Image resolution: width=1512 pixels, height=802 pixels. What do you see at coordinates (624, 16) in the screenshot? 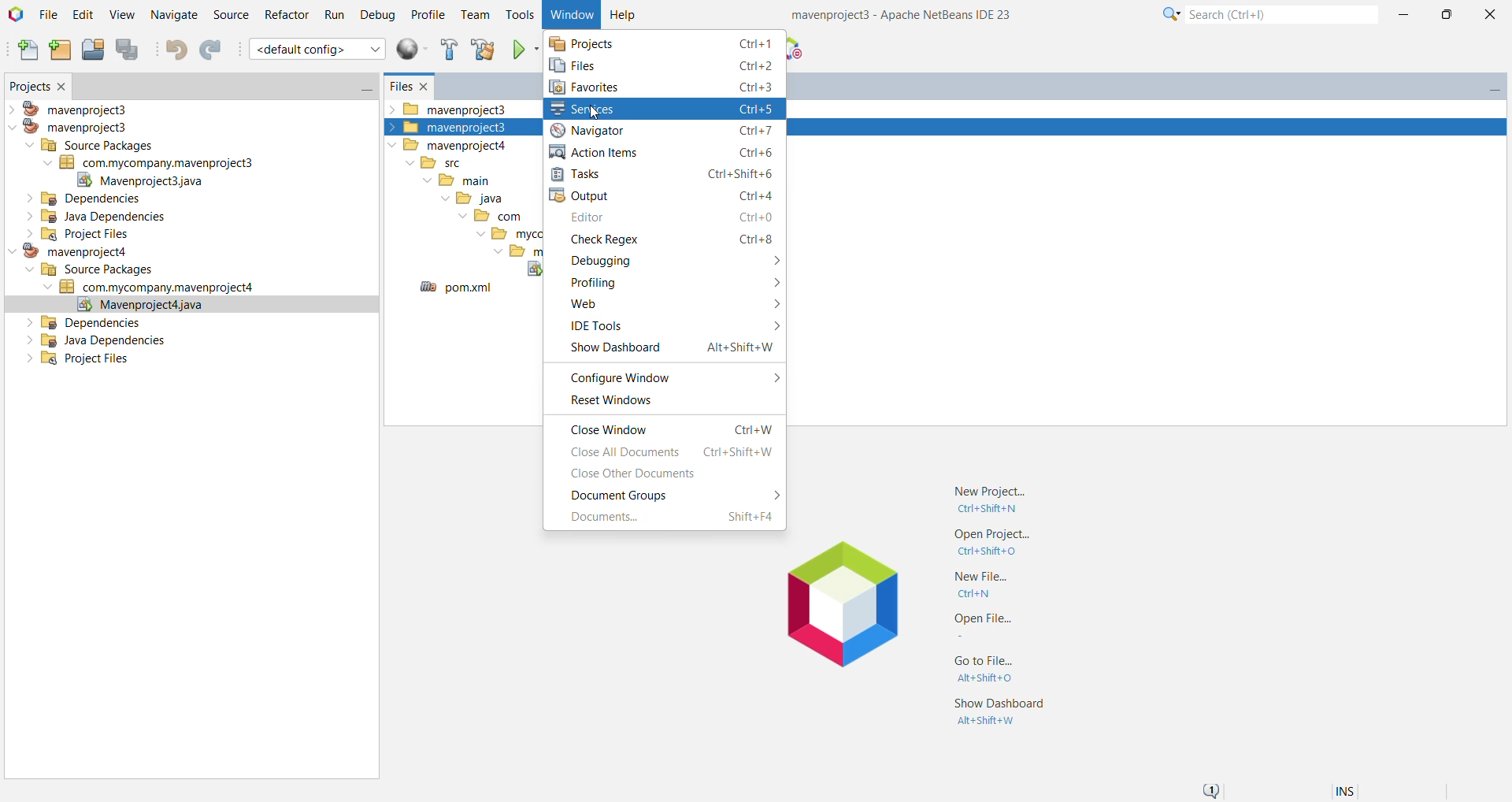
I see `Help` at bounding box center [624, 16].